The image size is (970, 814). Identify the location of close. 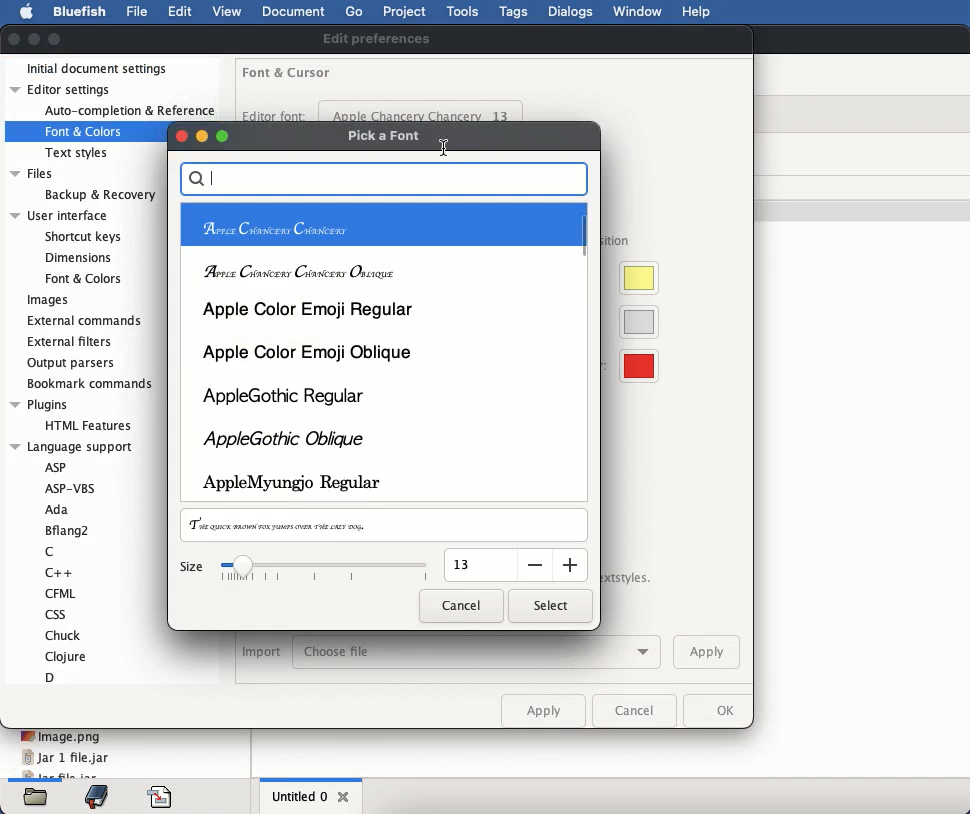
(345, 797).